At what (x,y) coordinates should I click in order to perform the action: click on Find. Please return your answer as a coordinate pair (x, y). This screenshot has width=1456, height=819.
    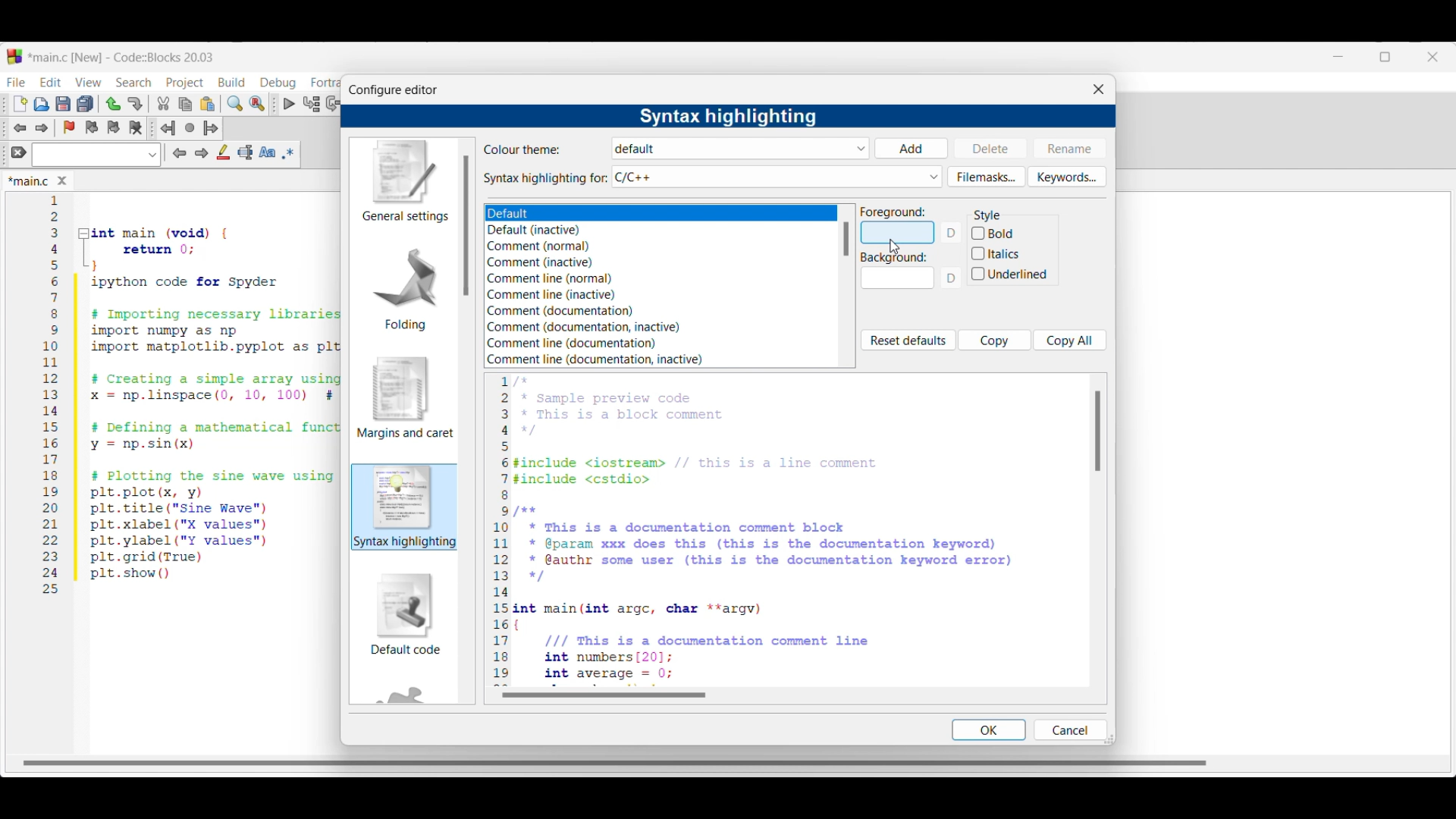
    Looking at the image, I should click on (235, 103).